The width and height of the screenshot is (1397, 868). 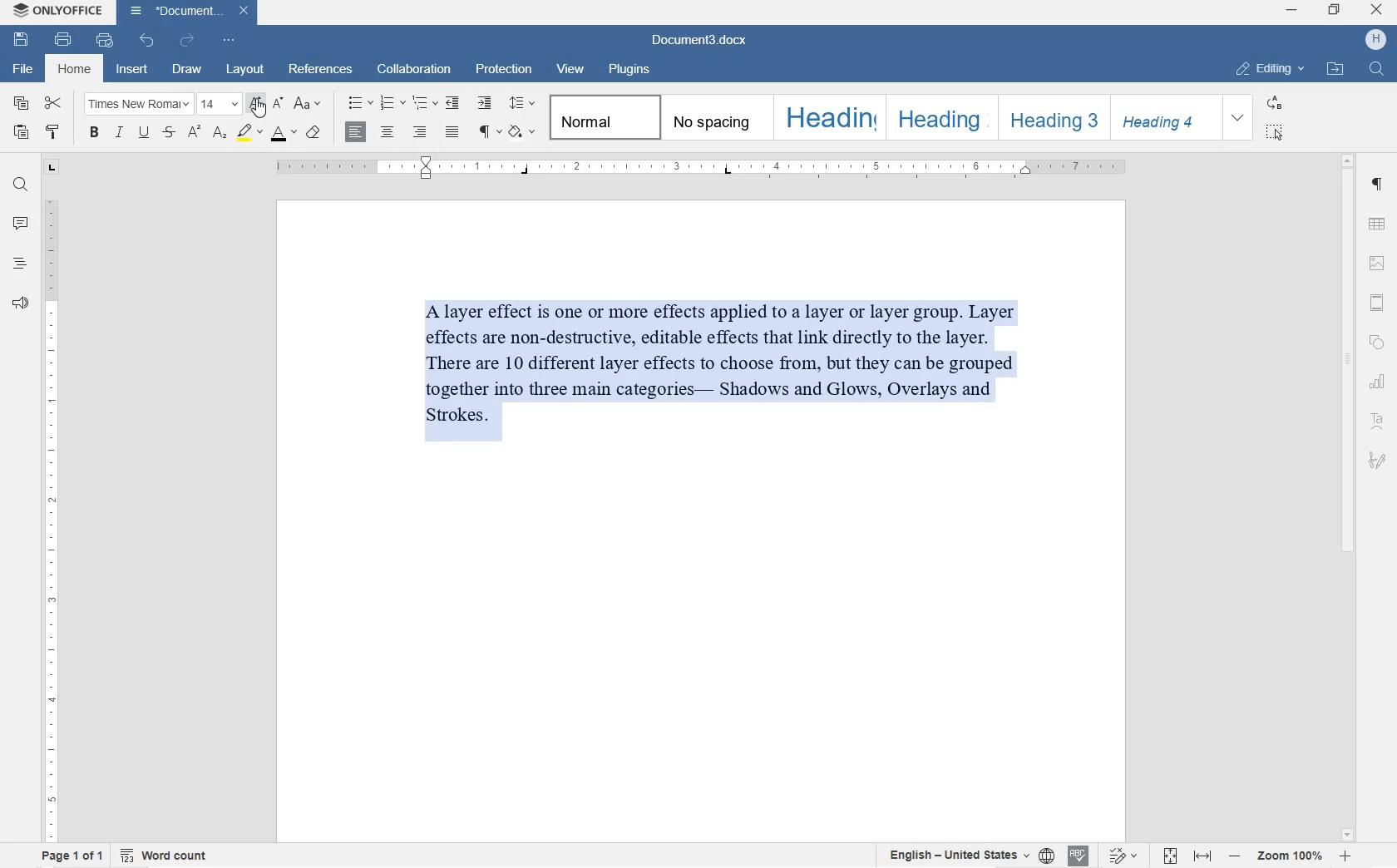 I want to click on ALIGN RIGHT, so click(x=420, y=133).